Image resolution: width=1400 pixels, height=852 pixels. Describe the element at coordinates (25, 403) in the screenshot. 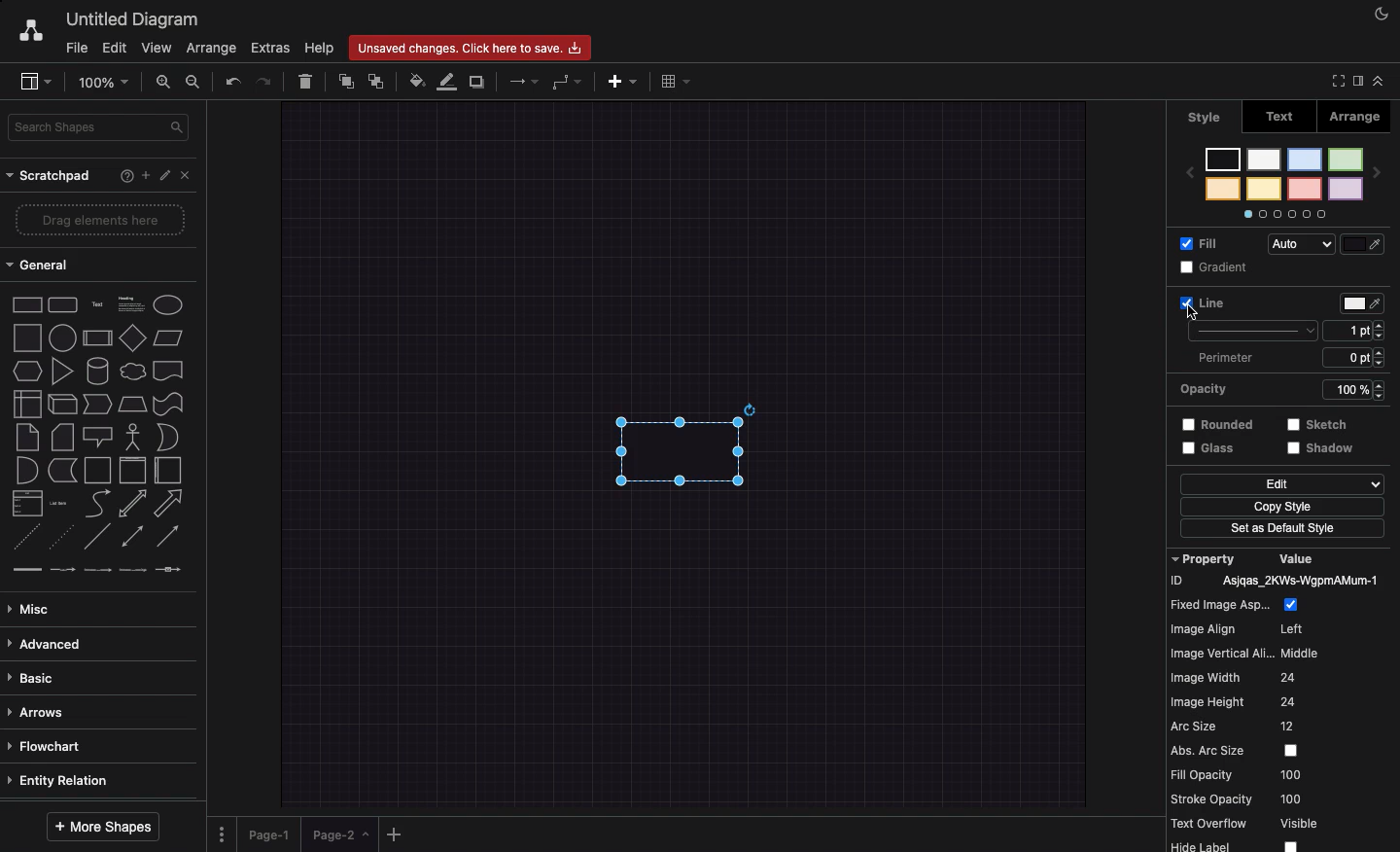

I see `internal storage` at that location.